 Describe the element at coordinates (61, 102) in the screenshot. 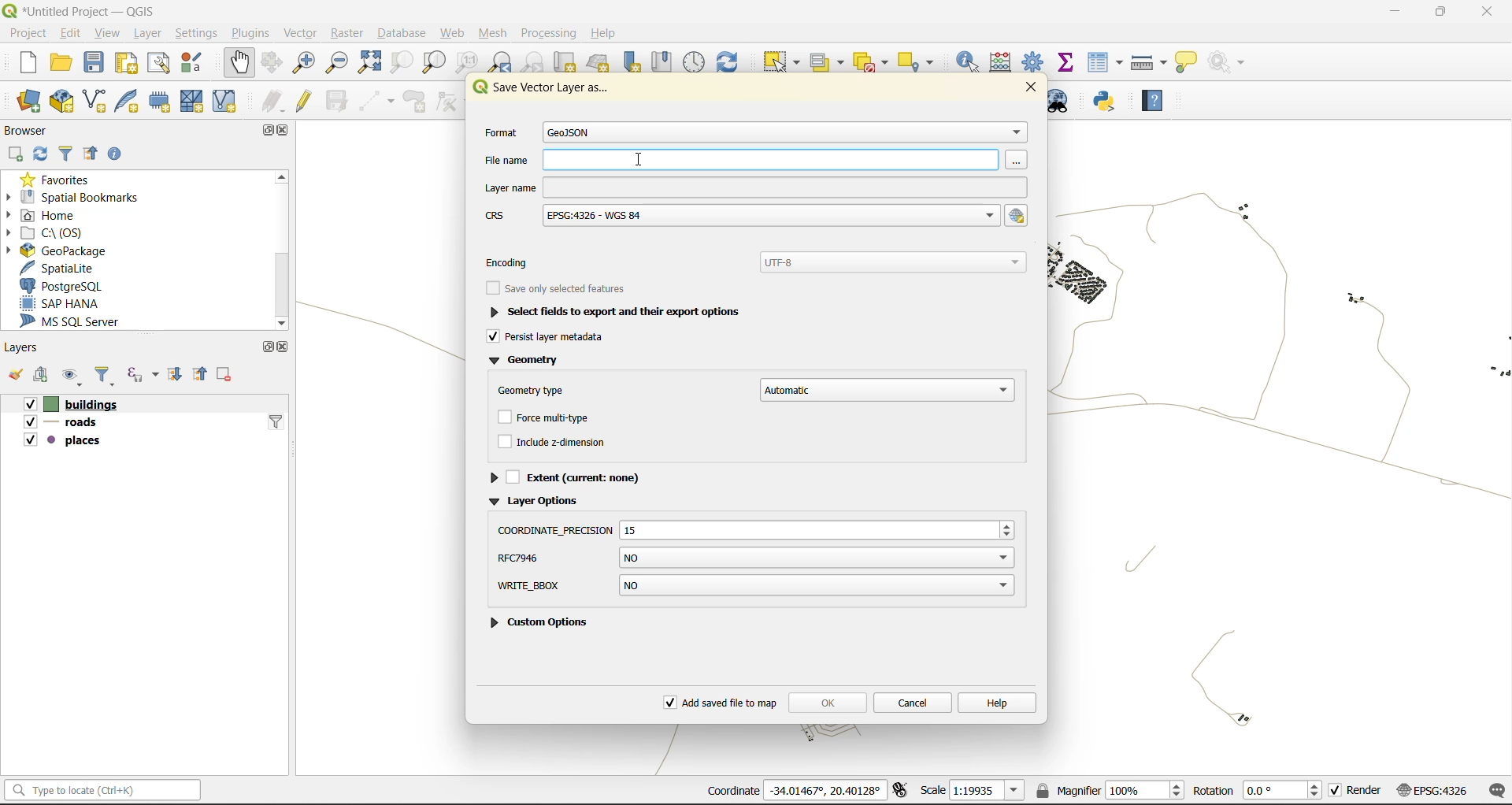

I see `new geopackage` at that location.